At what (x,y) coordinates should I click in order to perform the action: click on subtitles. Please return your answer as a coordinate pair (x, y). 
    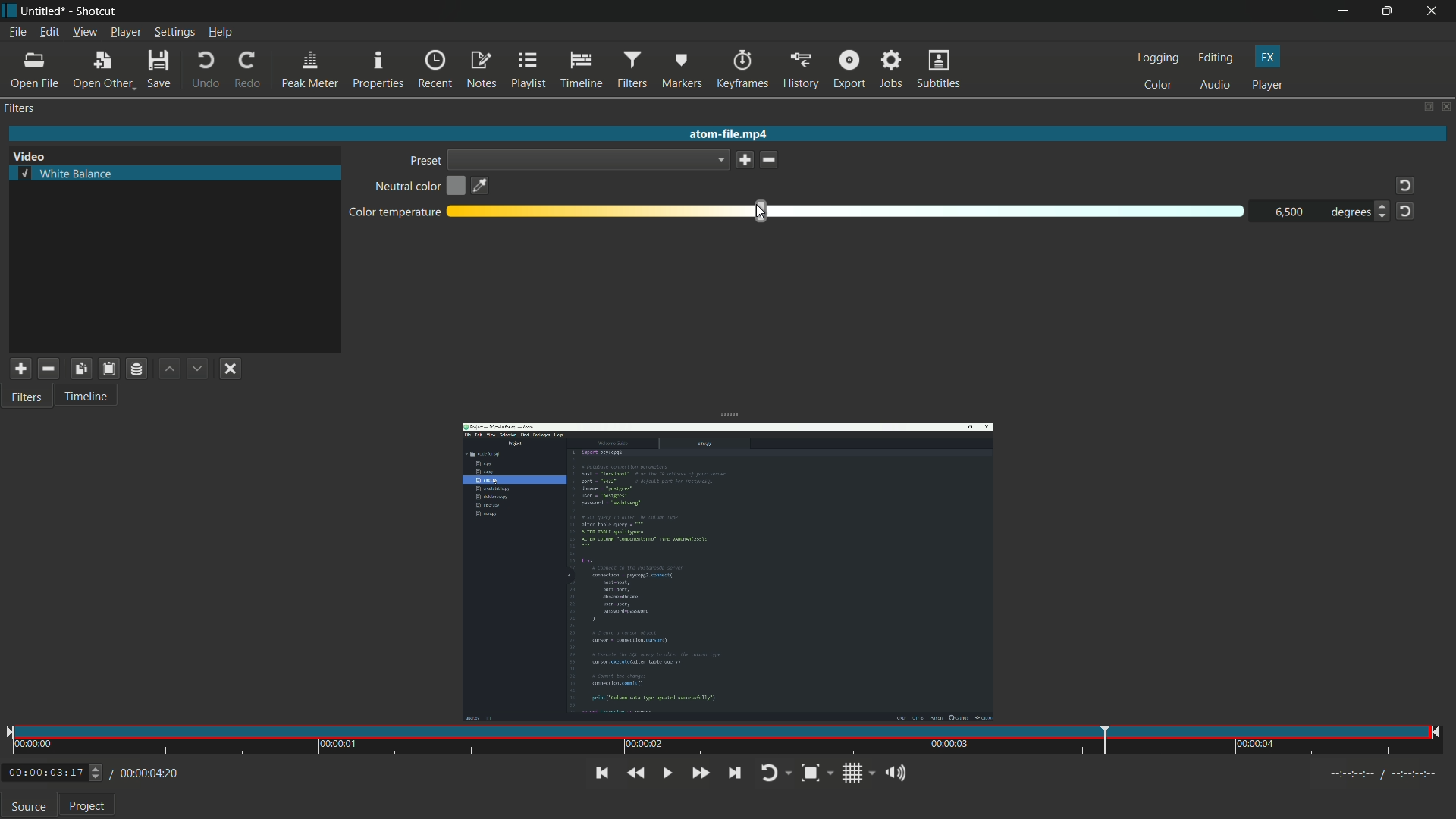
    Looking at the image, I should click on (939, 68).